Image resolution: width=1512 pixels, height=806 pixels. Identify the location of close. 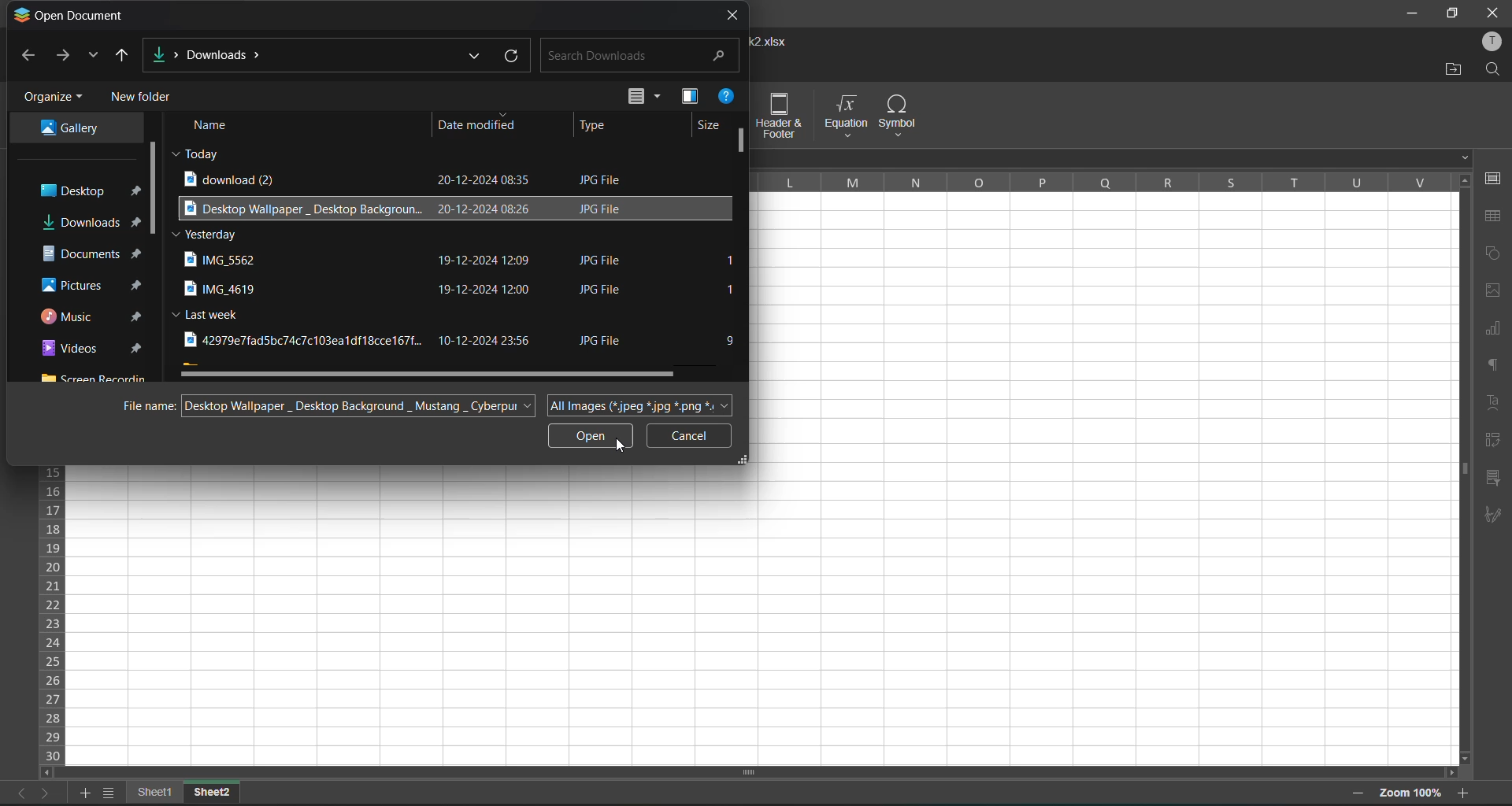
(1493, 11).